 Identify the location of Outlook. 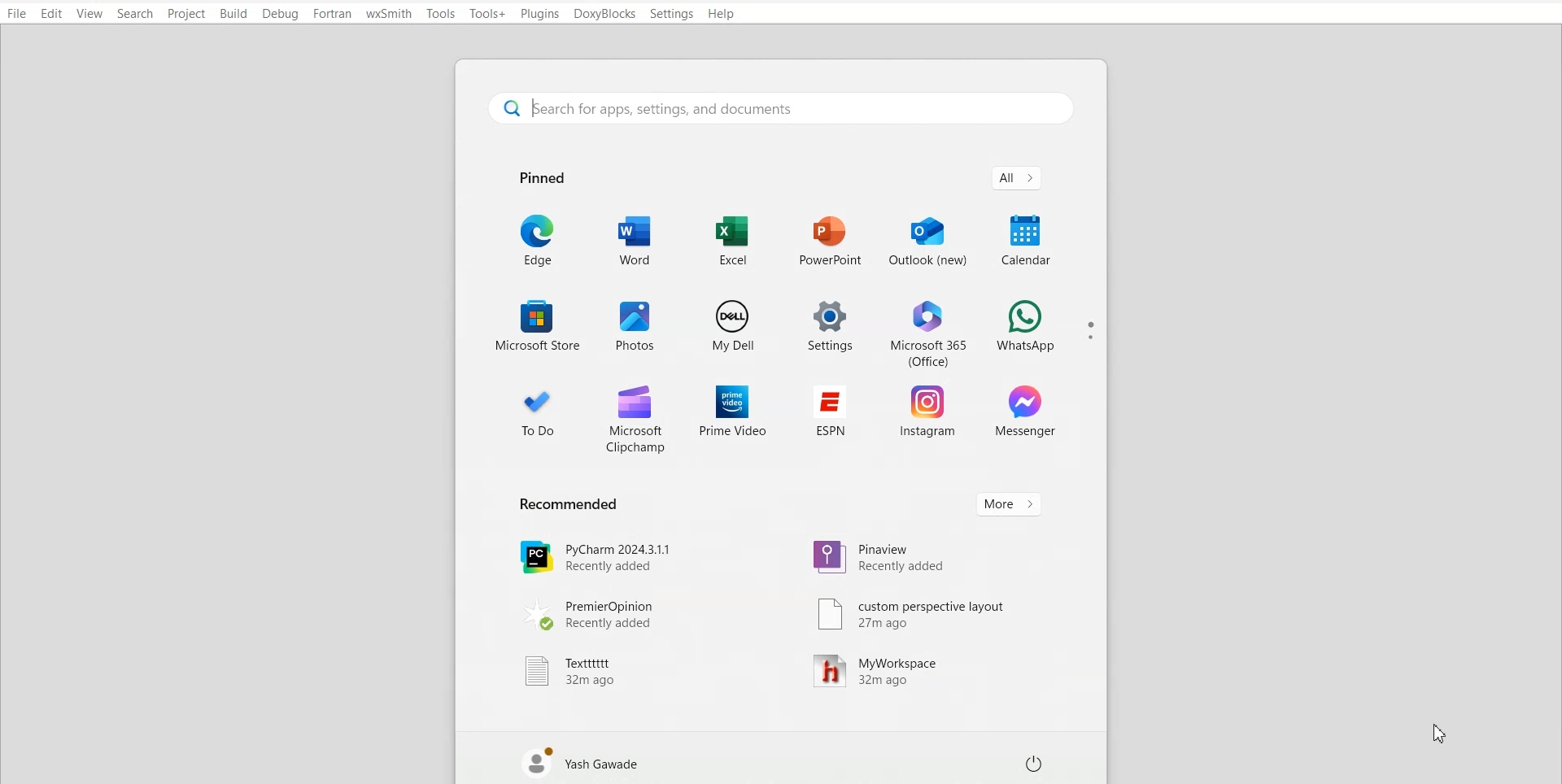
(930, 240).